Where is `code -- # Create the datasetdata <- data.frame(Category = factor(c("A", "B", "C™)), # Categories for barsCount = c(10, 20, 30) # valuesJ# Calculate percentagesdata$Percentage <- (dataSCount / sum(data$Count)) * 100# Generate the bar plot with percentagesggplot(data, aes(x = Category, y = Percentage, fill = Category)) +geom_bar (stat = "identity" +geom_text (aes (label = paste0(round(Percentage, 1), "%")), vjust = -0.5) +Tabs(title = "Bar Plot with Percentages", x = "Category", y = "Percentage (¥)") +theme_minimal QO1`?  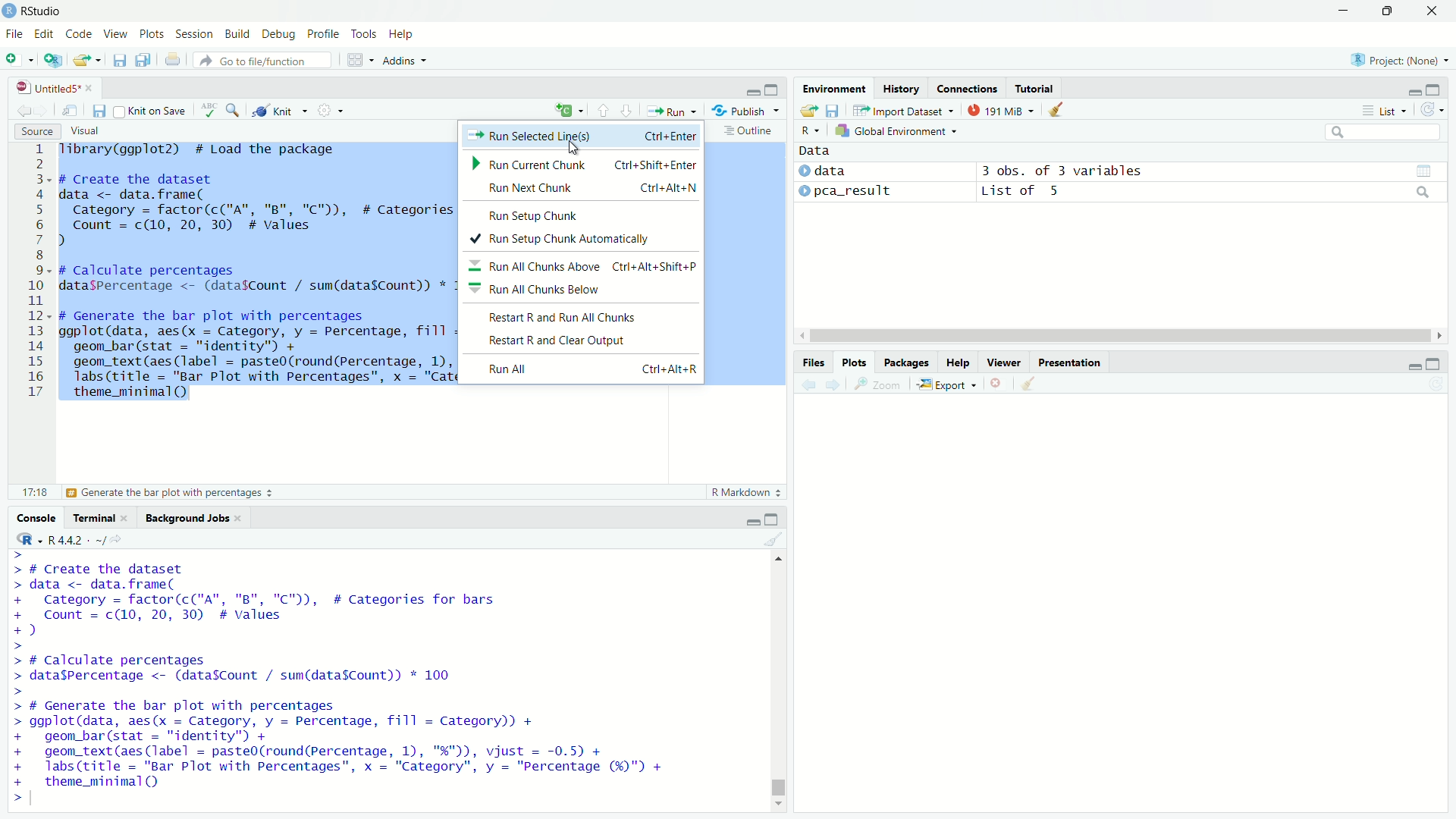 code -- # Create the datasetdata <- data.frame(Category = factor(c("A", "B", "C™)), # Categories for barsCount = c(10, 20, 30) # valuesJ# Calculate percentagesdata$Percentage <- (dataSCount / sum(data$Count)) * 100# Generate the bar plot with percentagesggplot(data, aes(x = Category, y = Percentage, fill = Category)) +geom_bar (stat = "identity" +geom_text (aes (label = paste0(round(Percentage, 1), "%")), vjust = -0.5) +Tabs(title = "Bar Plot with Percentages", x = "Category", y = "Percentage (¥)") +theme_minimal QO1 is located at coordinates (355, 679).